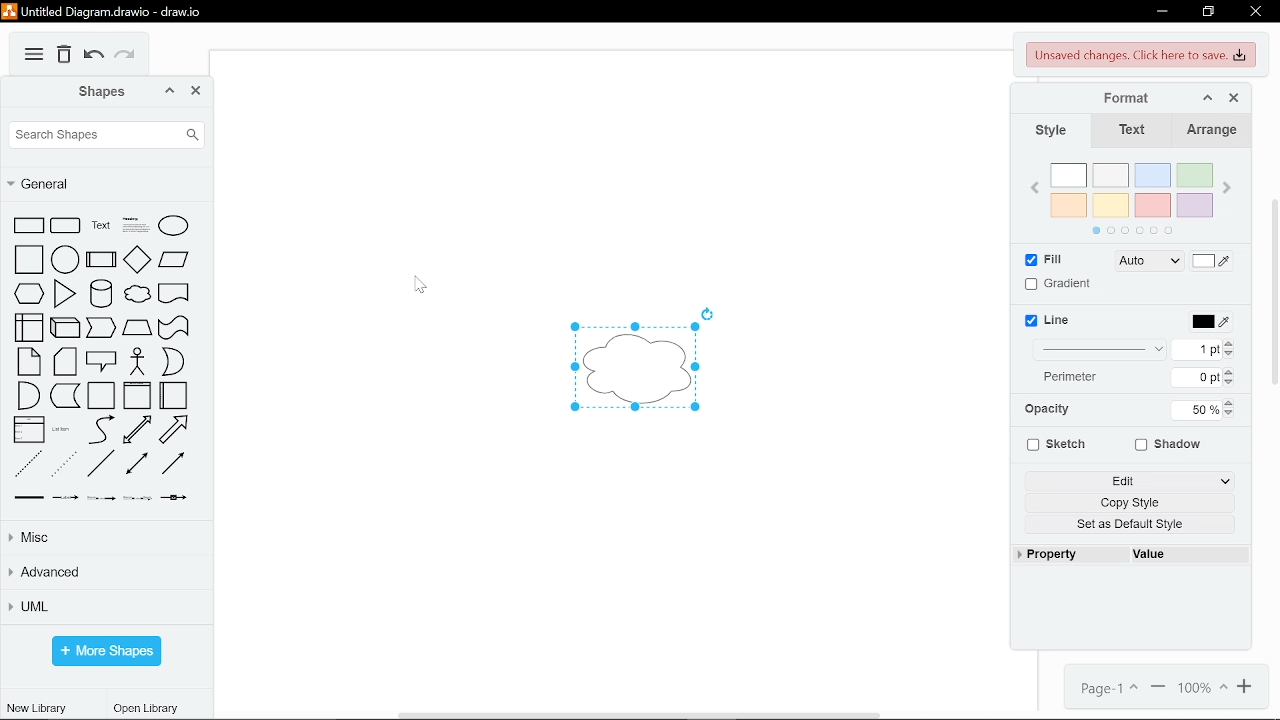  I want to click on circular rectangle, so click(66, 227).